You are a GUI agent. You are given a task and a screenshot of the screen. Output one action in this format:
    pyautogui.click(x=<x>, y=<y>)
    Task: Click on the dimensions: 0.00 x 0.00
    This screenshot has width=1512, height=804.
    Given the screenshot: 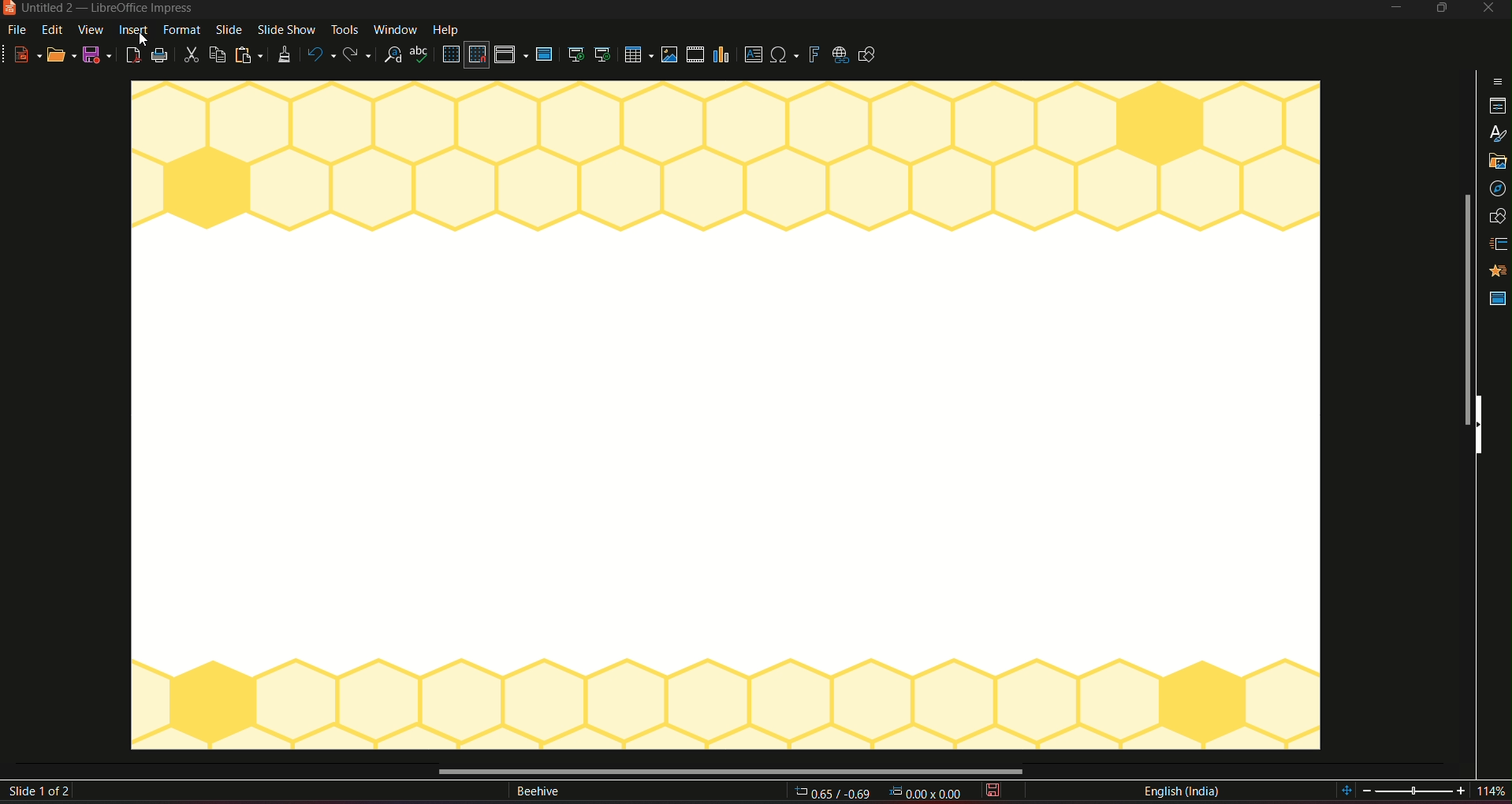 What is the action you would take?
    pyautogui.click(x=922, y=794)
    